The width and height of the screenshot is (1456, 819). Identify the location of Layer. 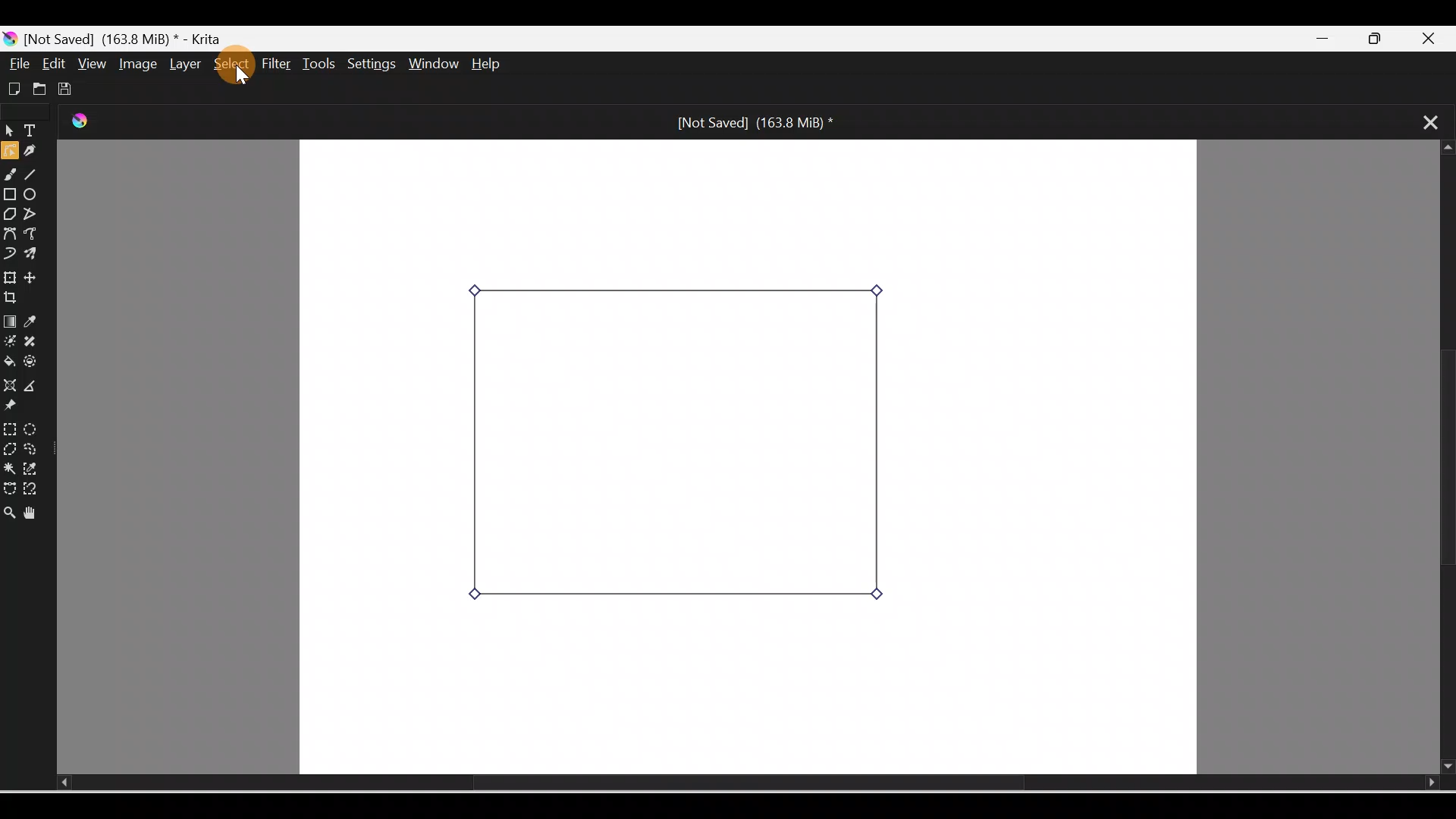
(182, 64).